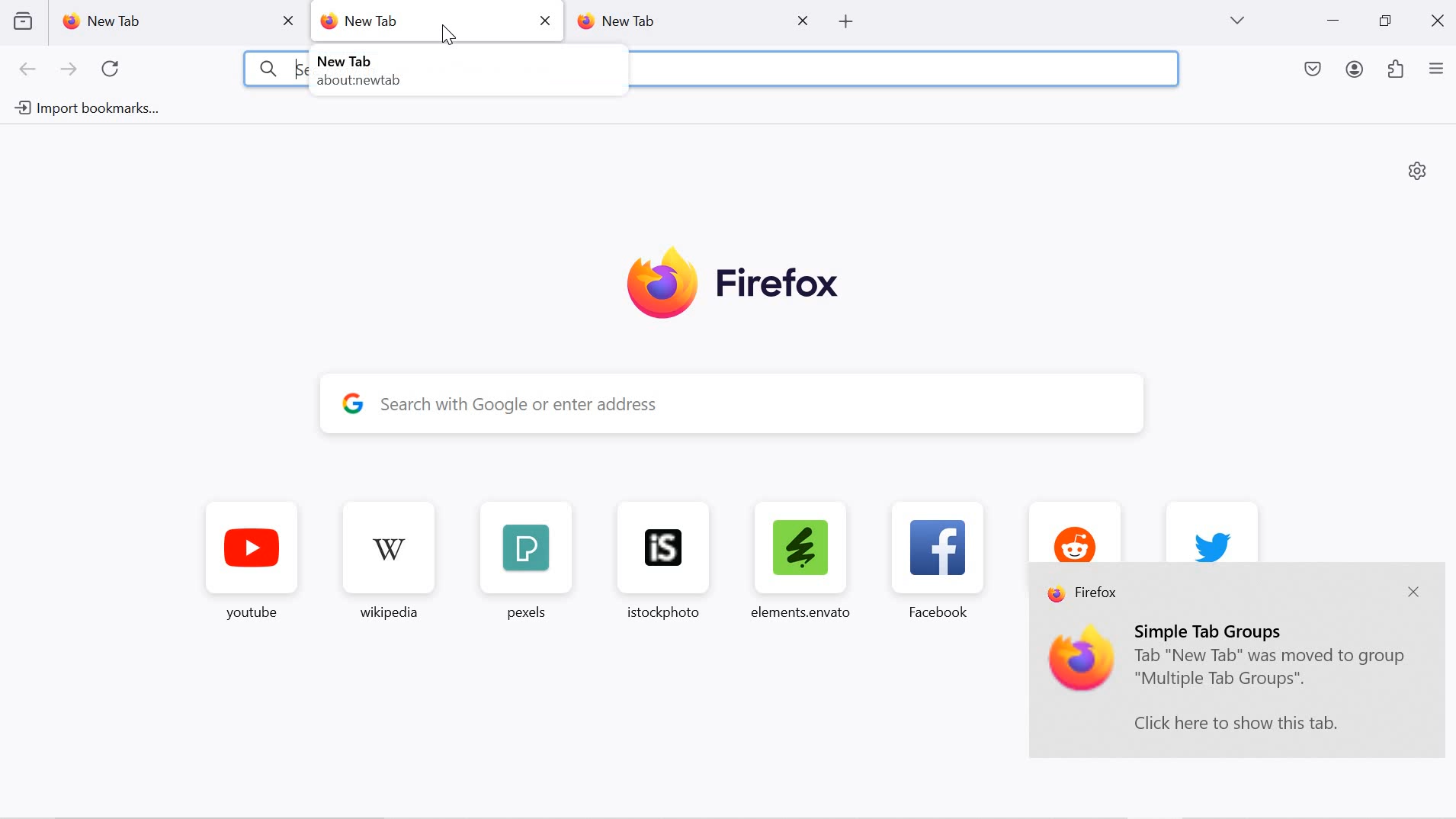  I want to click on new tab about new tab, so click(364, 70).